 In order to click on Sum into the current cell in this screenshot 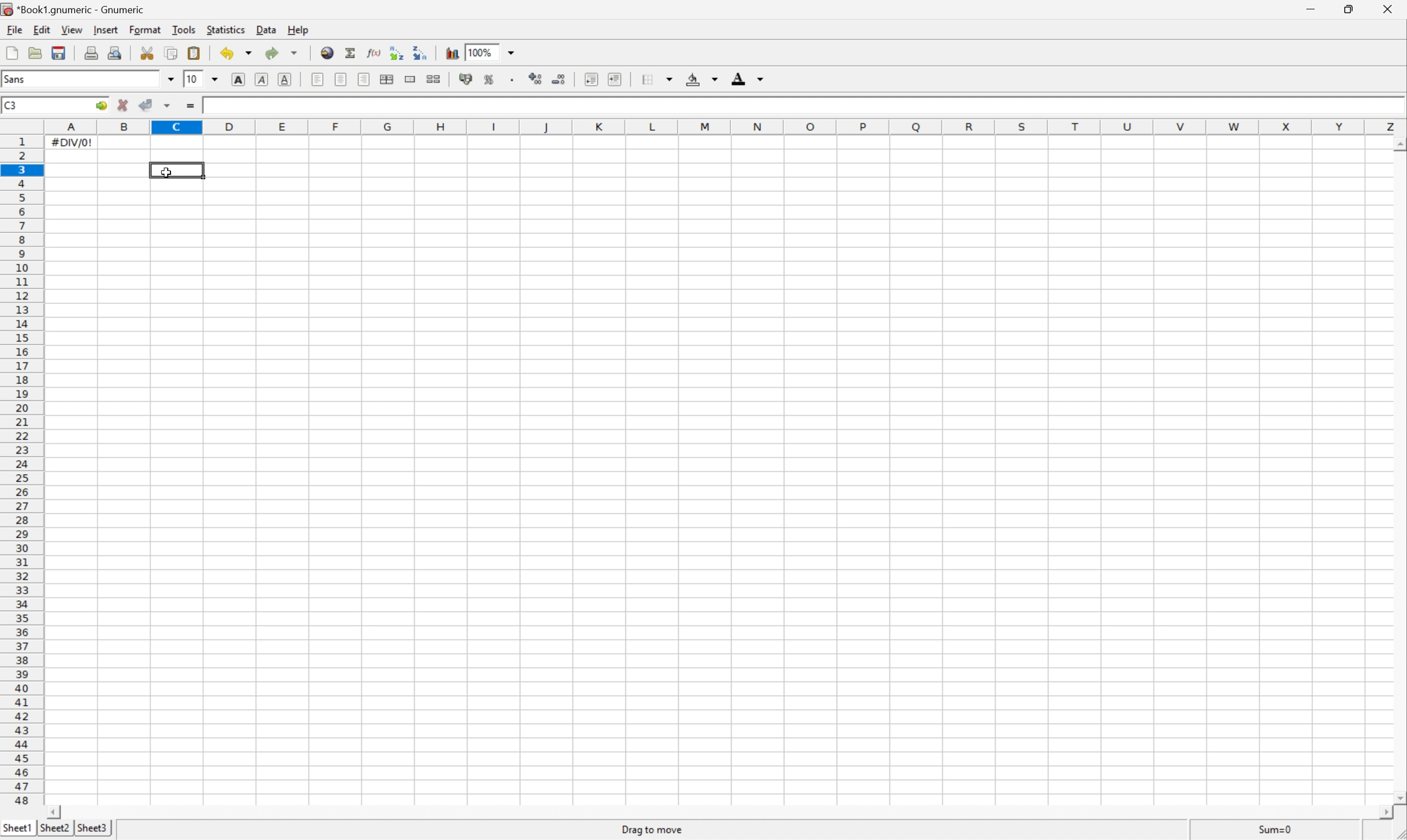, I will do `click(349, 54)`.